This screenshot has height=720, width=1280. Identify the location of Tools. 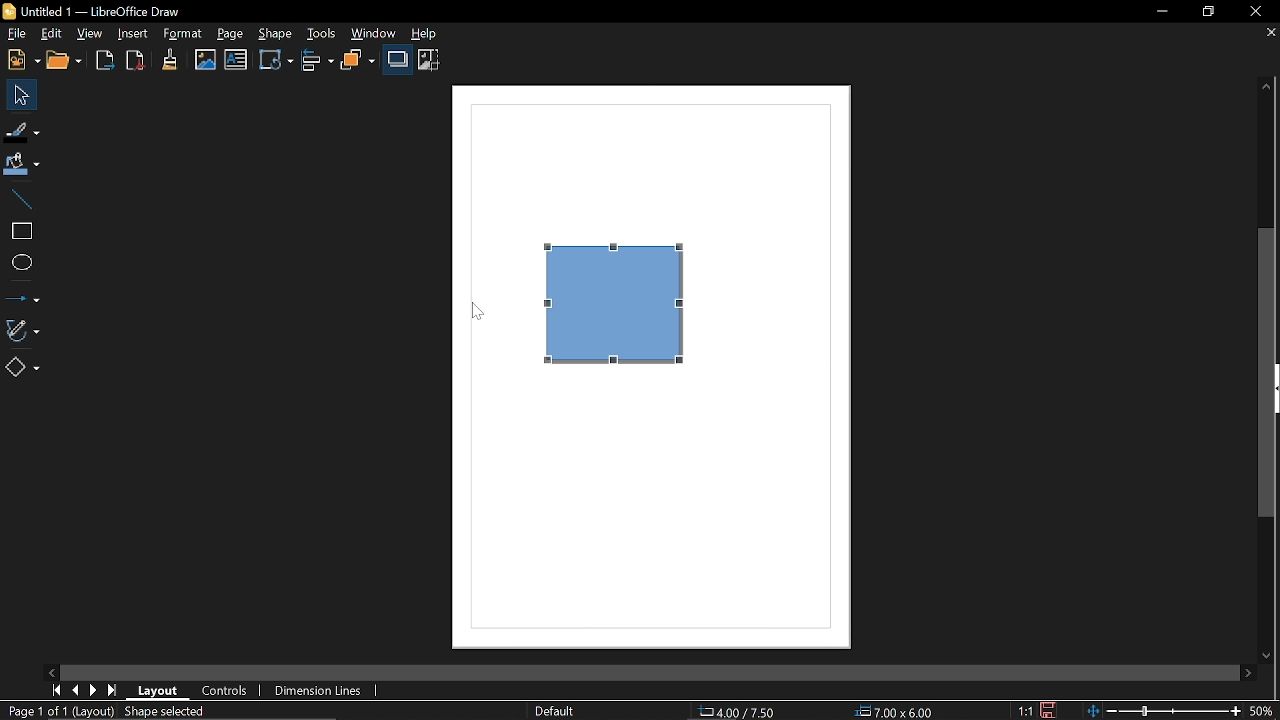
(322, 33).